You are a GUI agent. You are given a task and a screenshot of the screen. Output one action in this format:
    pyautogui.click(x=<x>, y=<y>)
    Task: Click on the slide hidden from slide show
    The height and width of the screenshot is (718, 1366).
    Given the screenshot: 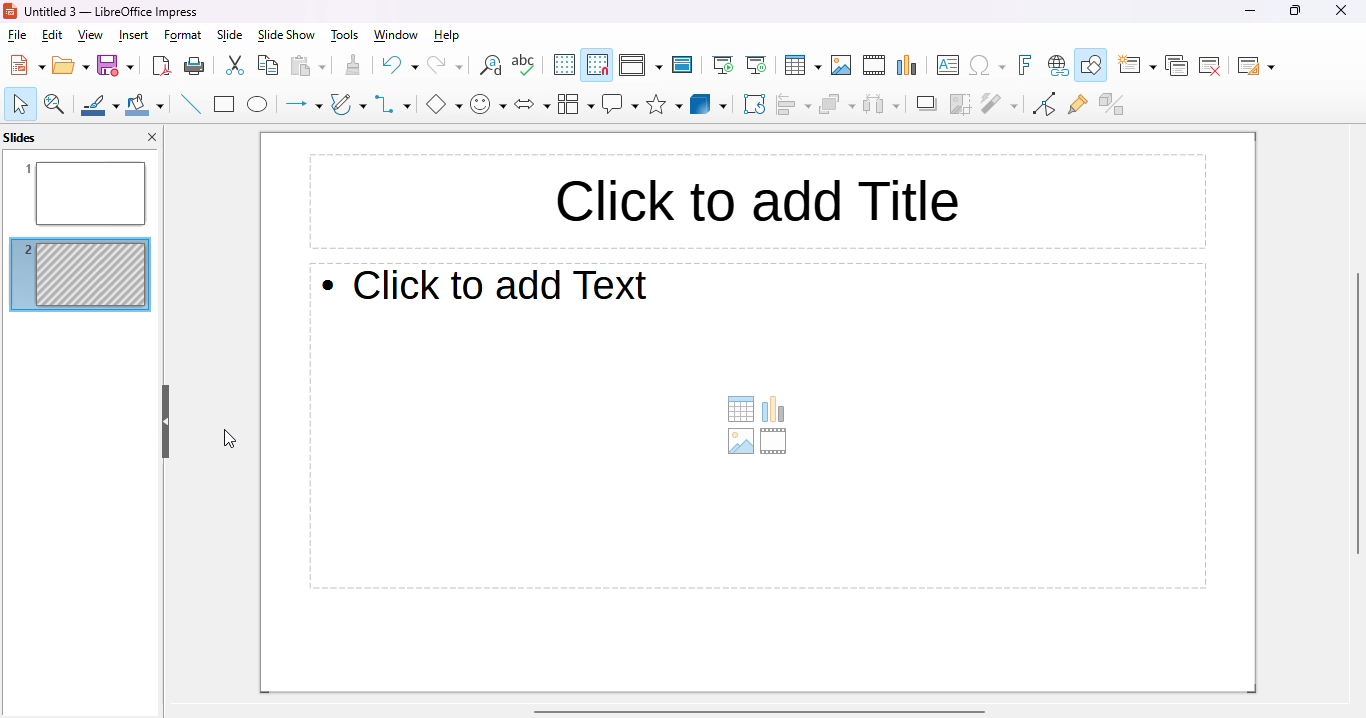 What is the action you would take?
    pyautogui.click(x=80, y=274)
    